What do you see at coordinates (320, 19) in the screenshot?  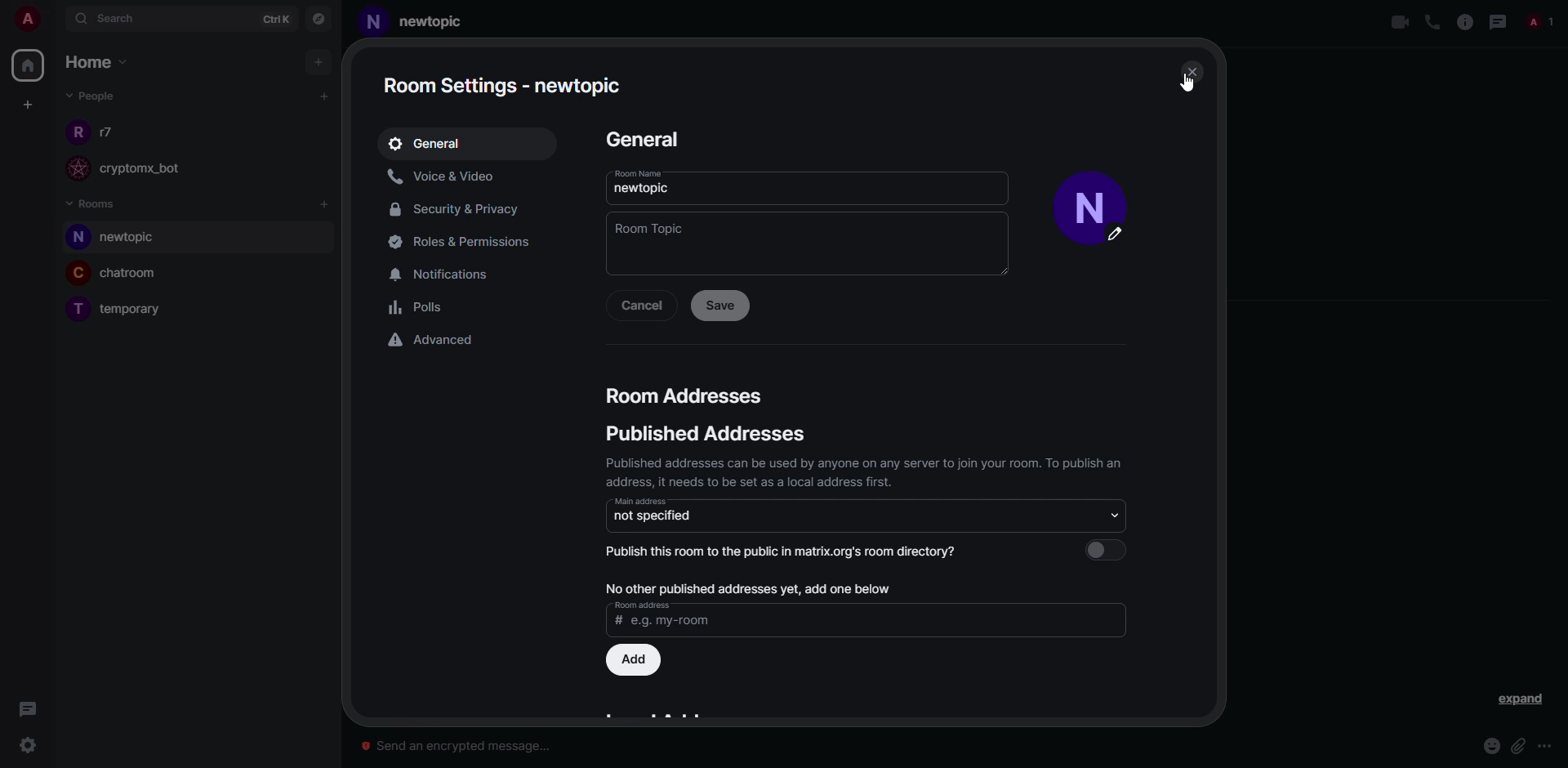 I see `navigator` at bounding box center [320, 19].